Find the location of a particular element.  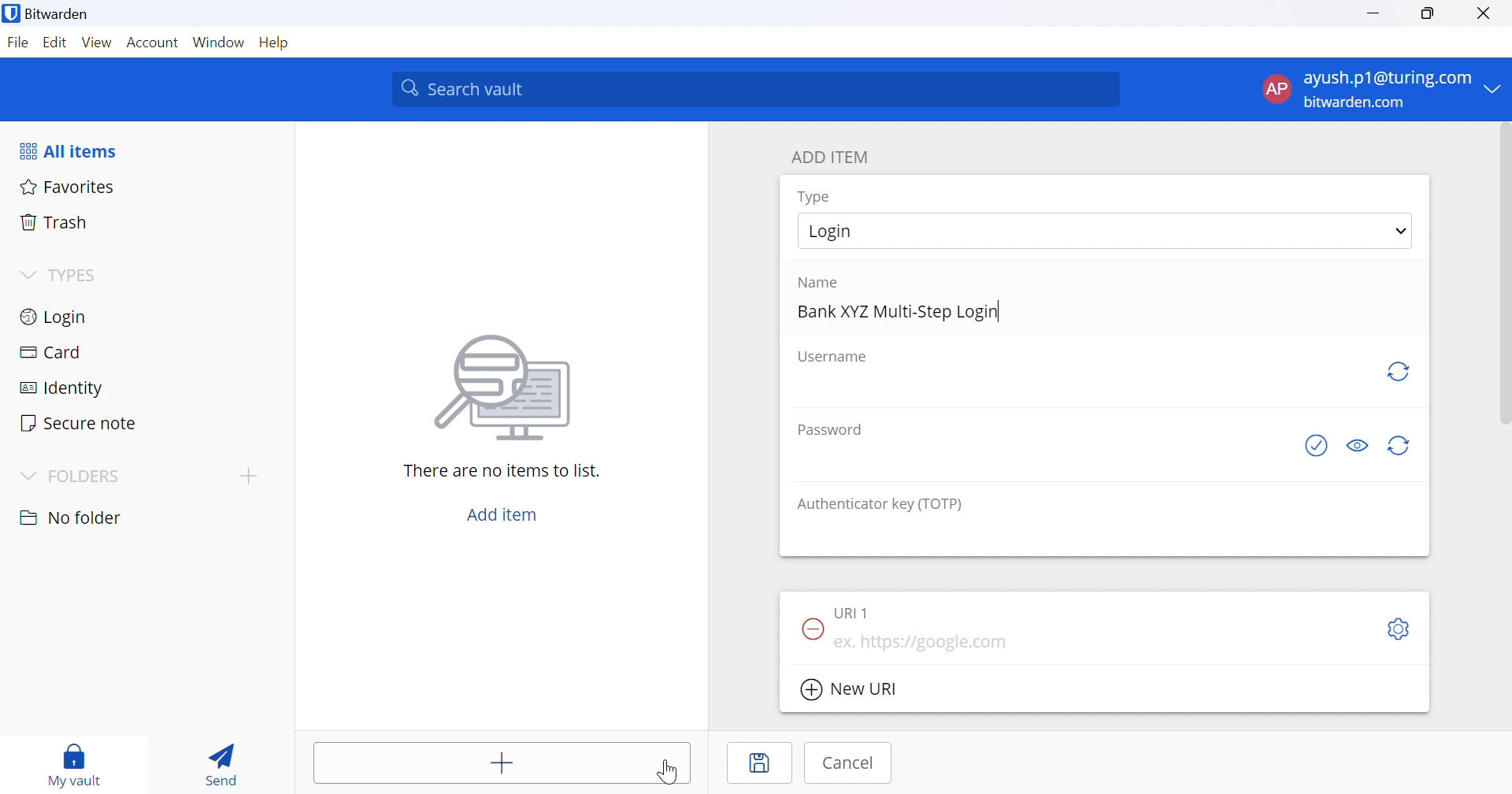

Regenerate Password is located at coordinates (1402, 445).